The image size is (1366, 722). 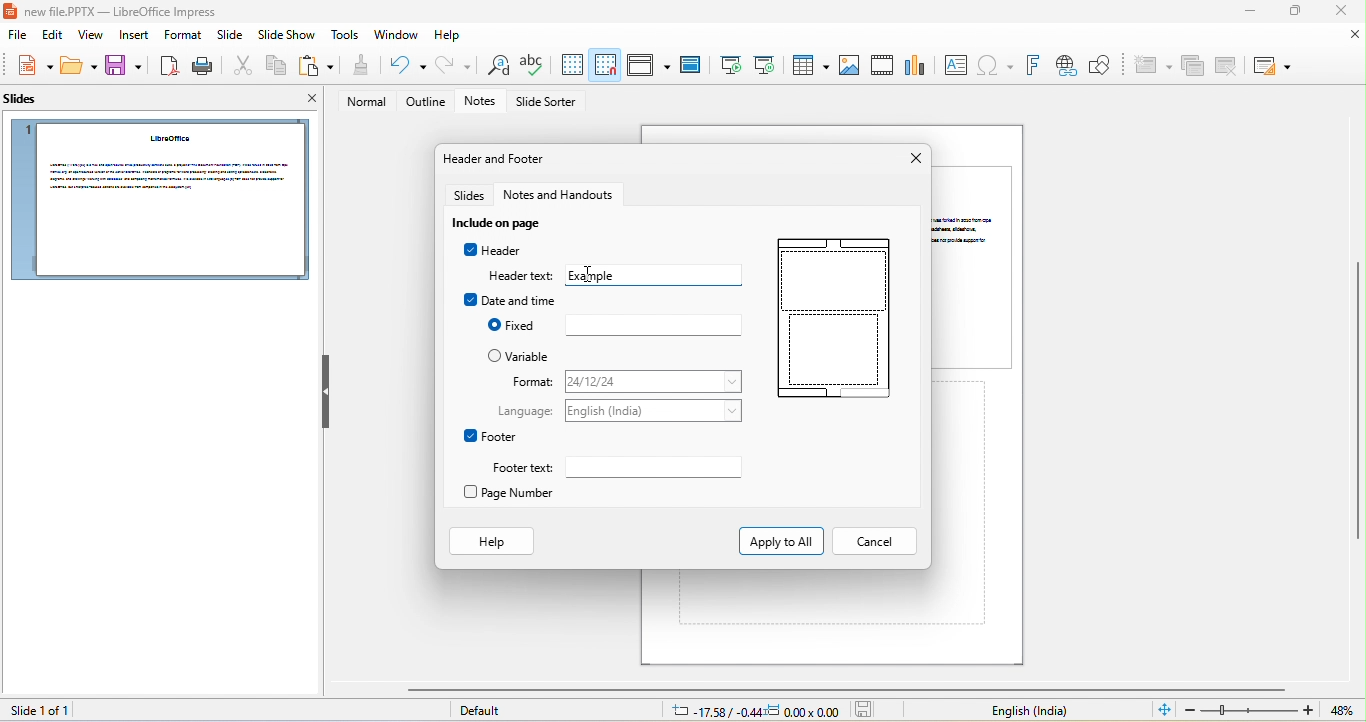 What do you see at coordinates (955, 65) in the screenshot?
I see `text box` at bounding box center [955, 65].